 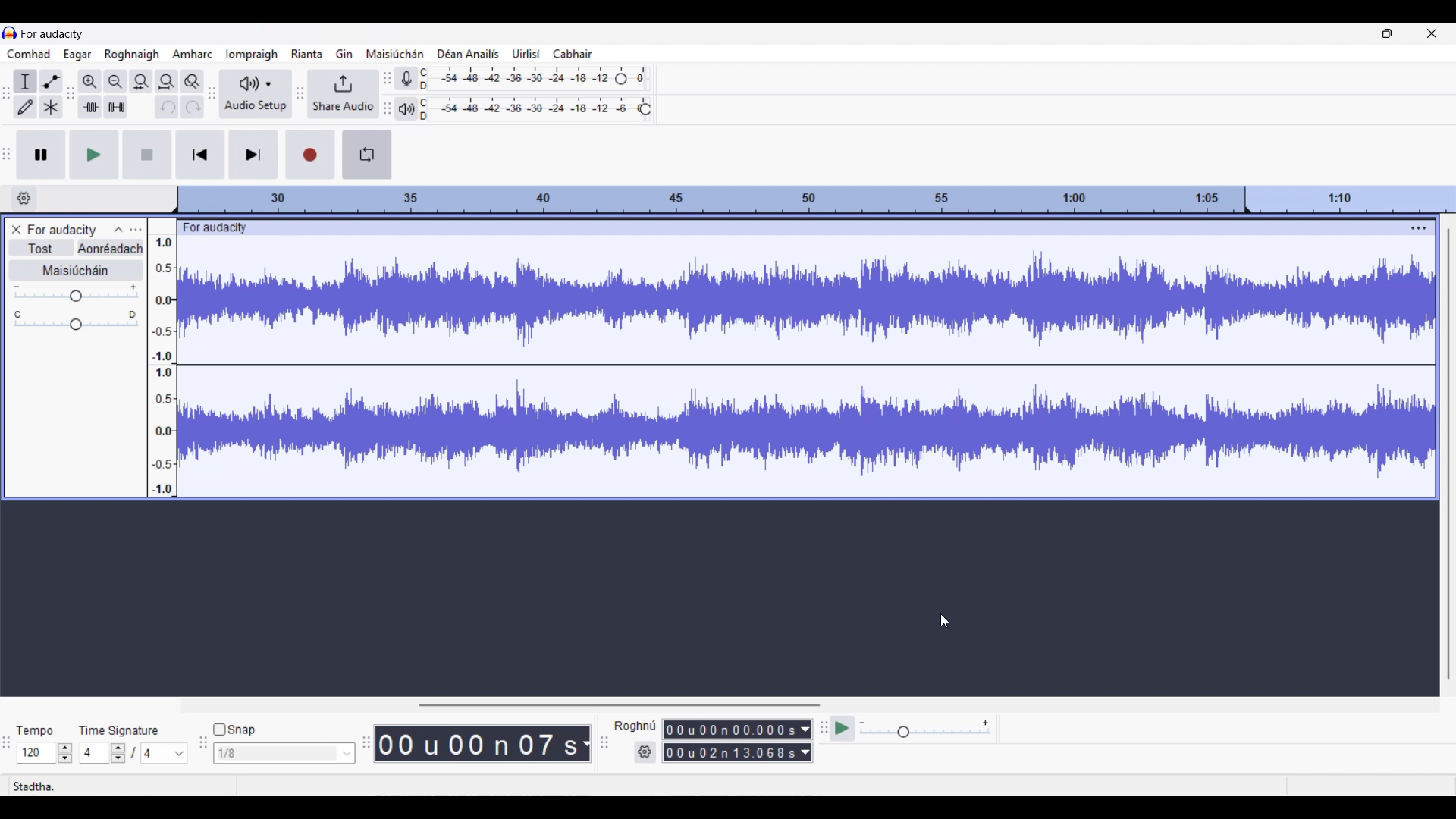 I want to click on Open menu, so click(x=136, y=231).